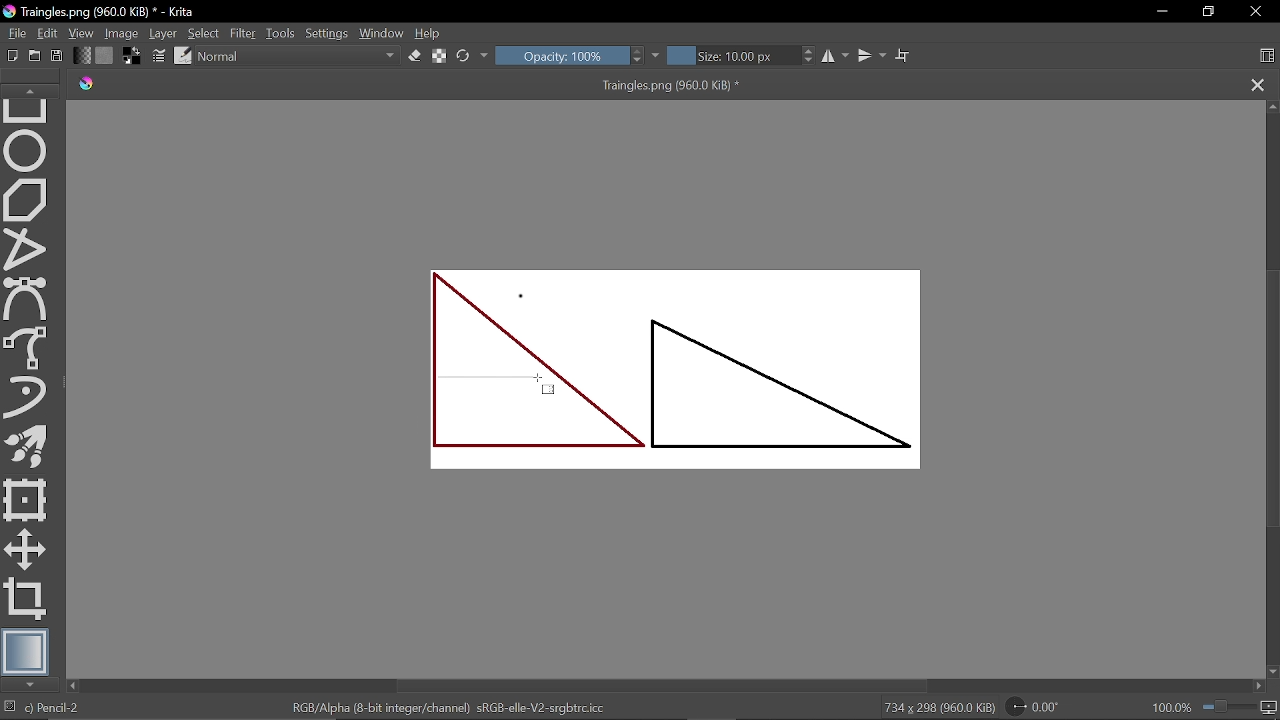  Describe the element at coordinates (14, 32) in the screenshot. I see `File` at that location.